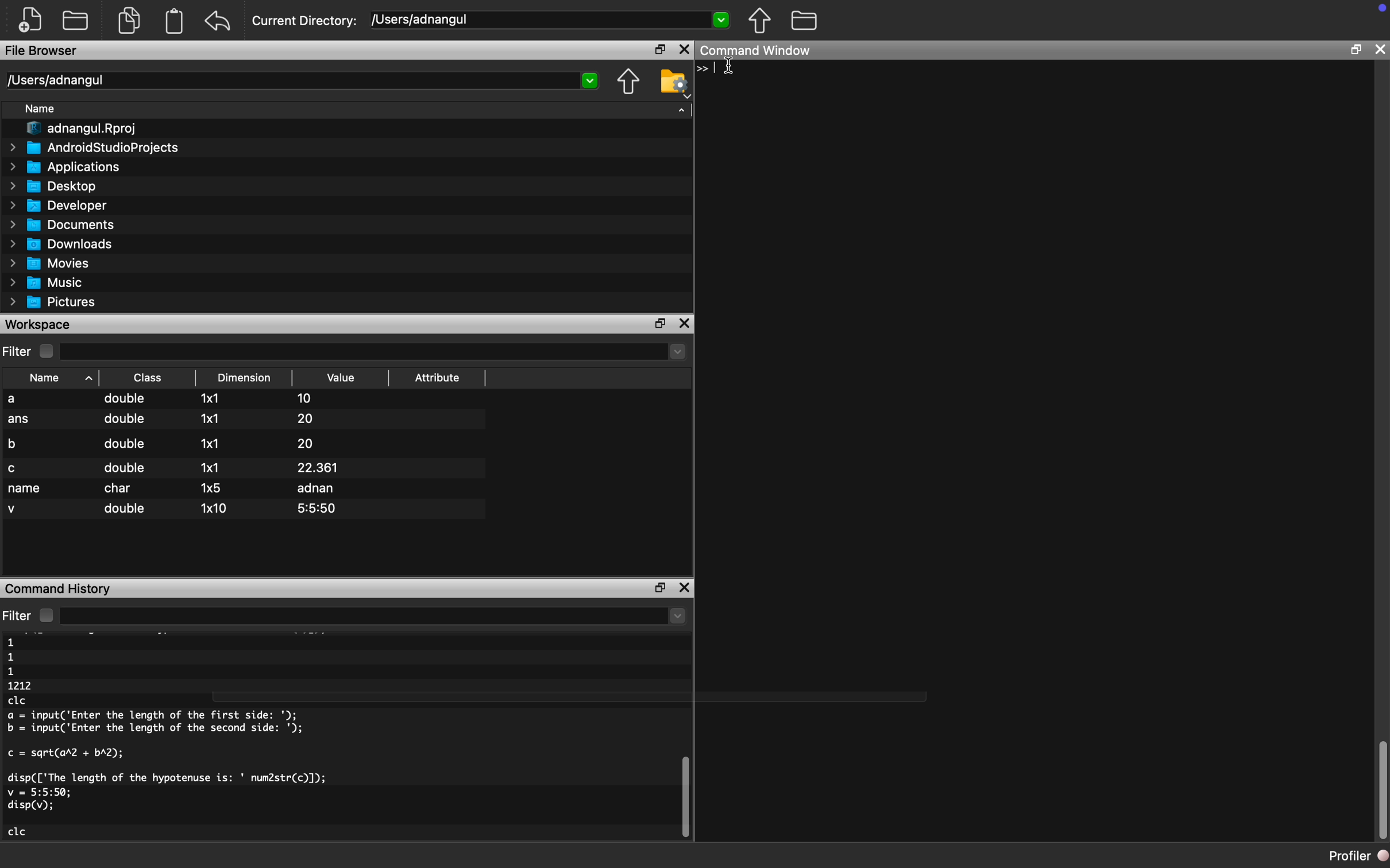  I want to click on AndroidStudioProjects, so click(95, 148).